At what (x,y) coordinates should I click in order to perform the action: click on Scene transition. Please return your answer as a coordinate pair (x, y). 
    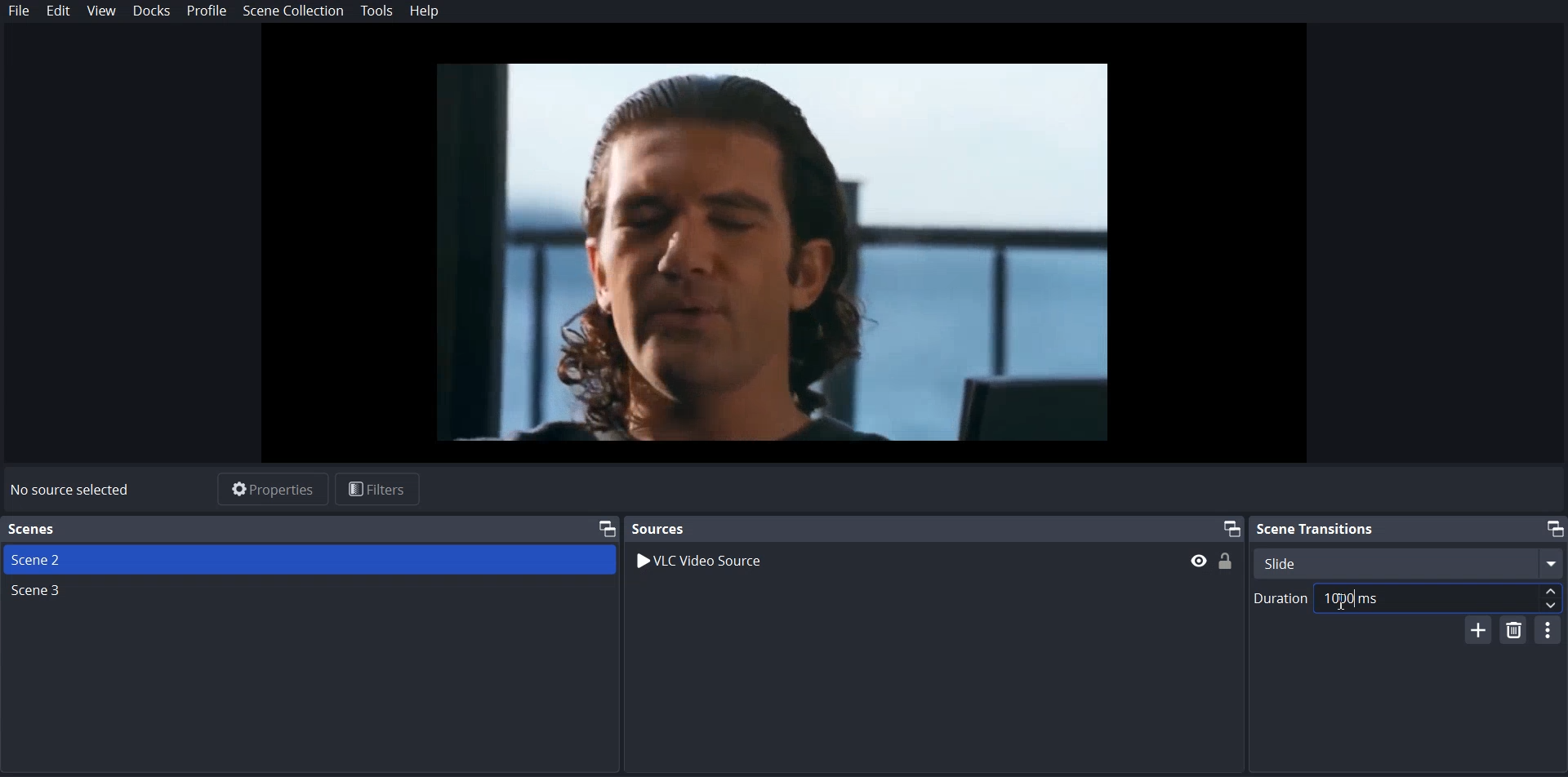
    Looking at the image, I should click on (1409, 527).